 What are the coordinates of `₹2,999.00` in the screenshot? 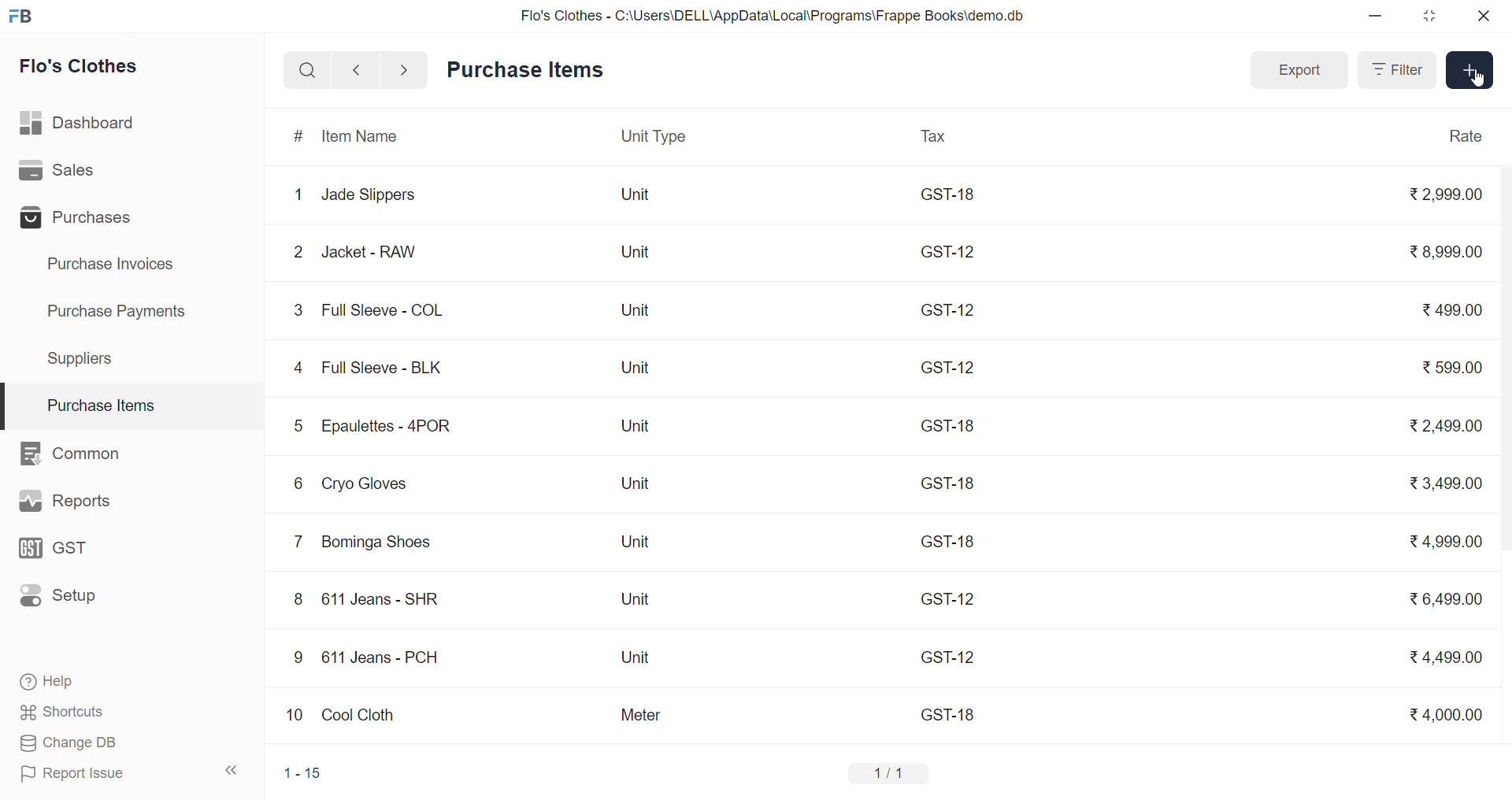 It's located at (1445, 193).